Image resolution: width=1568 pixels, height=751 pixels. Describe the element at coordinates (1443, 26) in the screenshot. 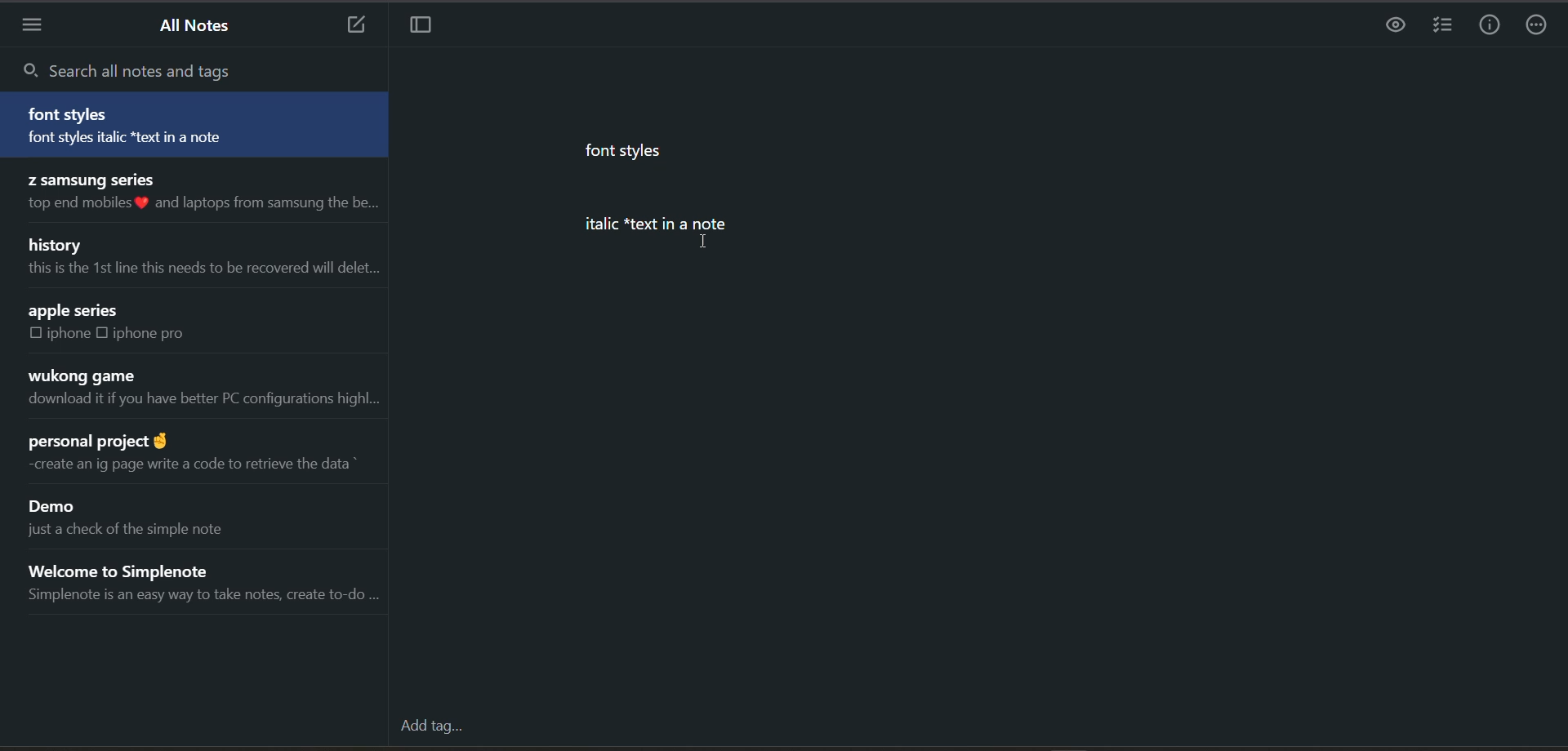

I see `insert checklist` at that location.